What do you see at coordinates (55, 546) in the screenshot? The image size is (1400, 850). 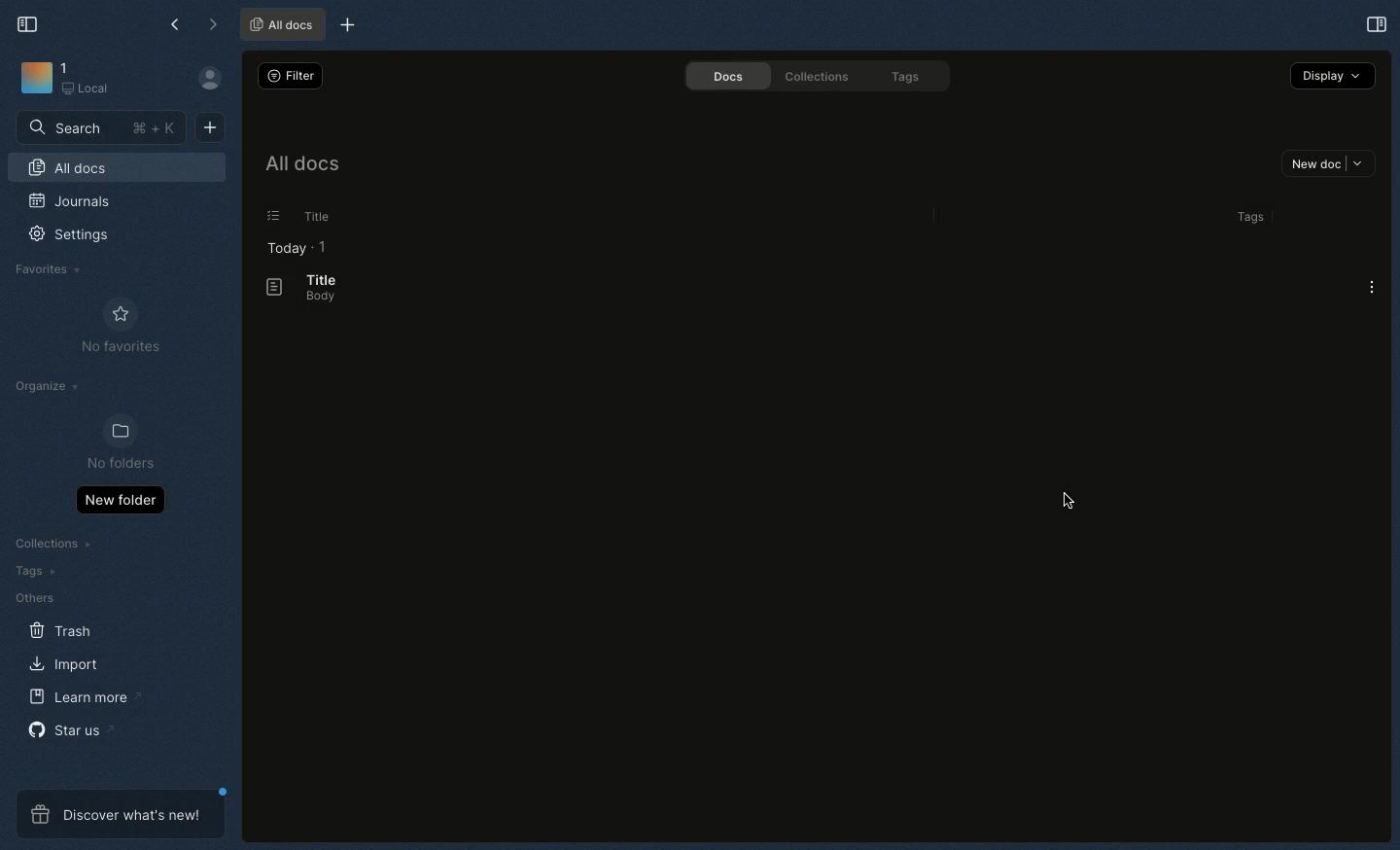 I see `Collections` at bounding box center [55, 546].